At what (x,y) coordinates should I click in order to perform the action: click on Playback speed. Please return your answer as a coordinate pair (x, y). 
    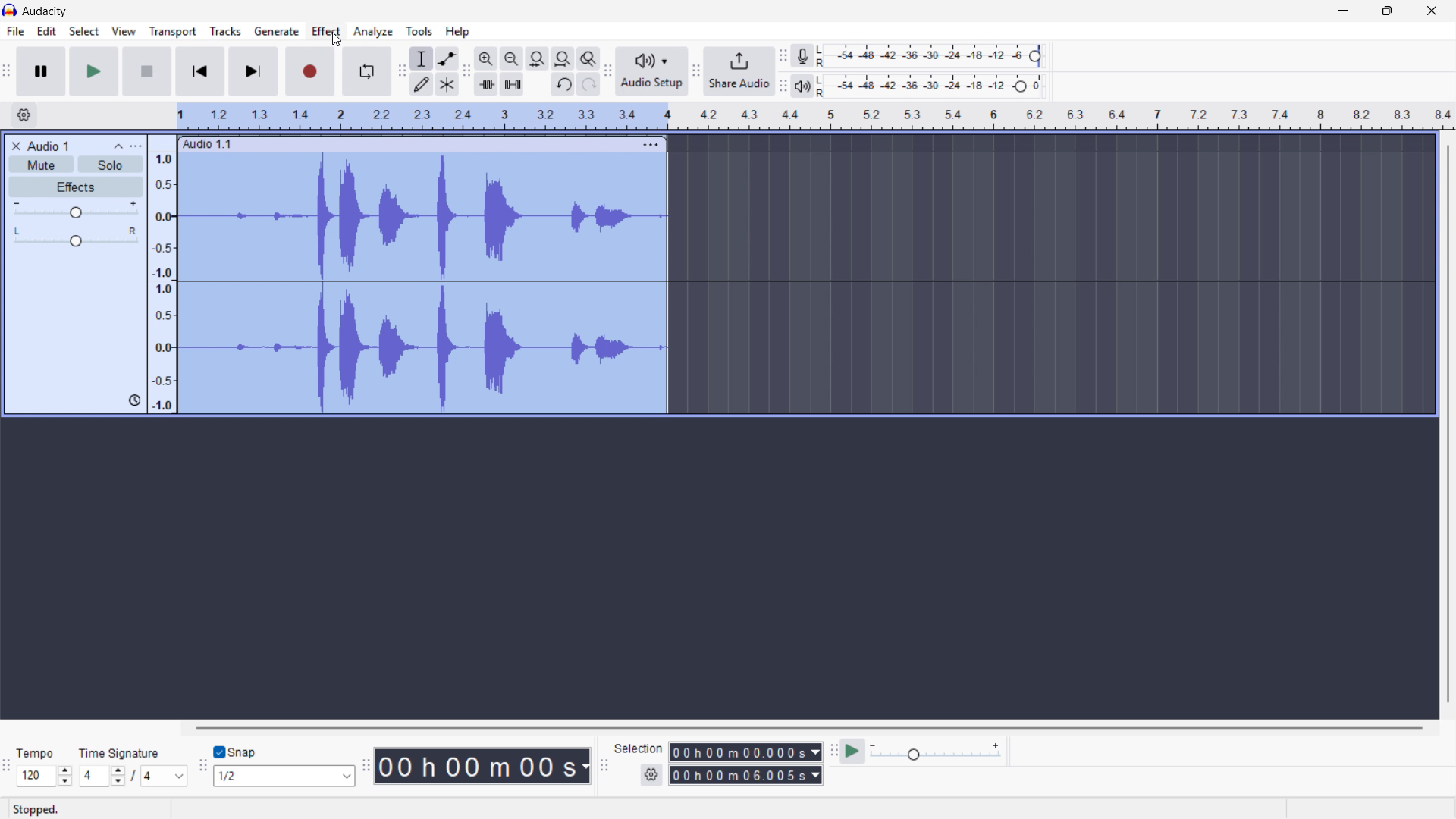
    Looking at the image, I should click on (935, 753).